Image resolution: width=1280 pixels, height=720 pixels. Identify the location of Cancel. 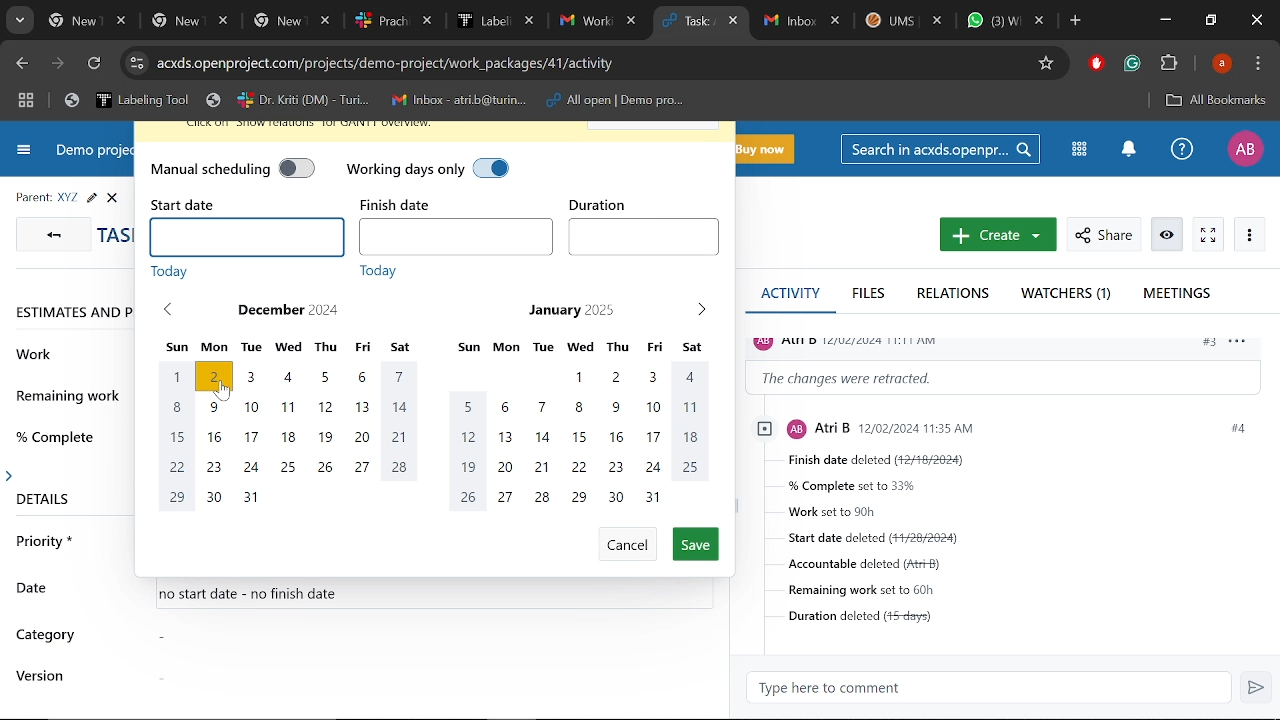
(624, 543).